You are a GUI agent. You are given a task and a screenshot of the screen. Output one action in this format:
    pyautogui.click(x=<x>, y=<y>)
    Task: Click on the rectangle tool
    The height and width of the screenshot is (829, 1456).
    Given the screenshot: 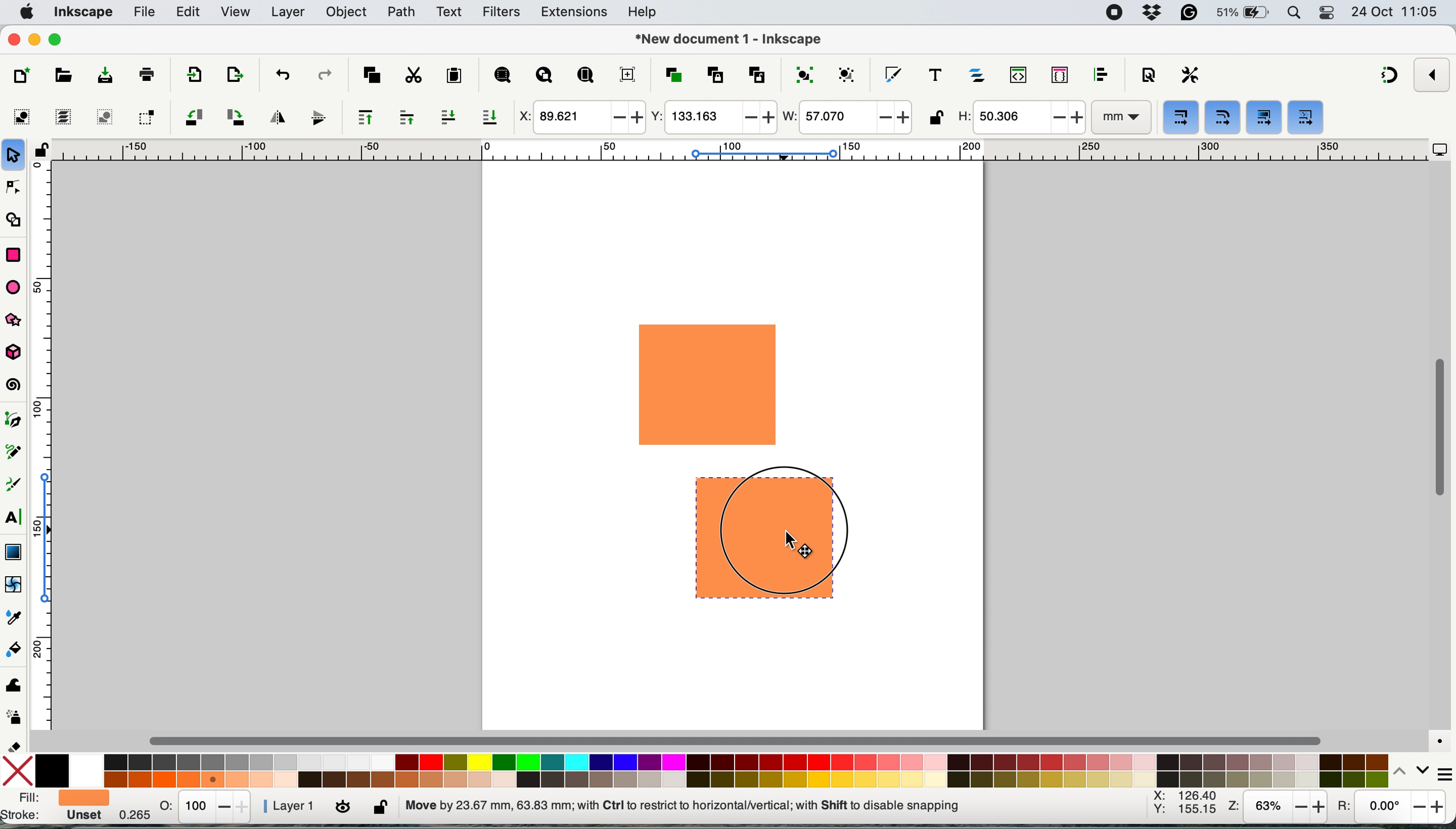 What is the action you would take?
    pyautogui.click(x=13, y=253)
    